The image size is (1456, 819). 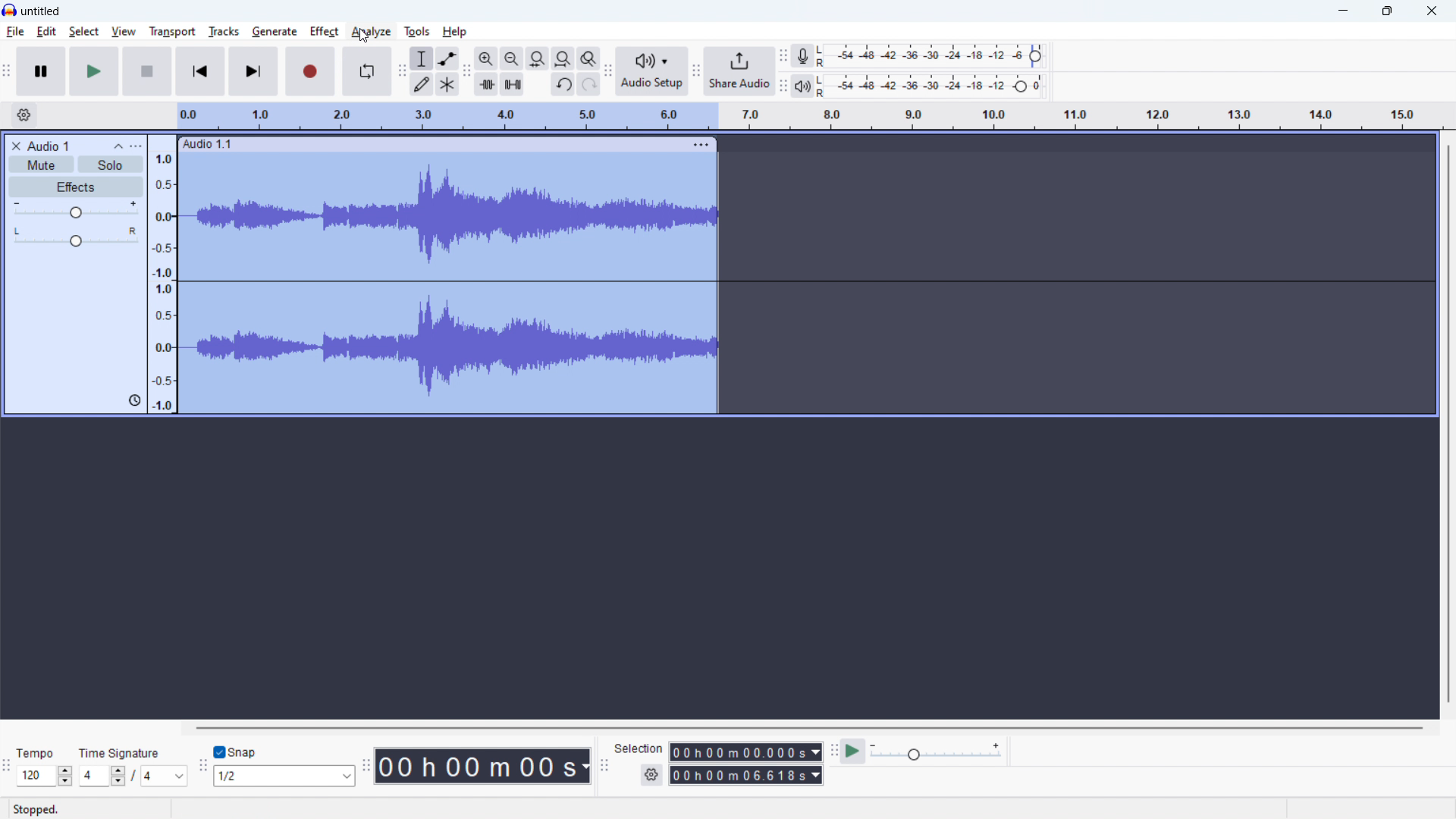 What do you see at coordinates (77, 209) in the screenshot?
I see `gain` at bounding box center [77, 209].